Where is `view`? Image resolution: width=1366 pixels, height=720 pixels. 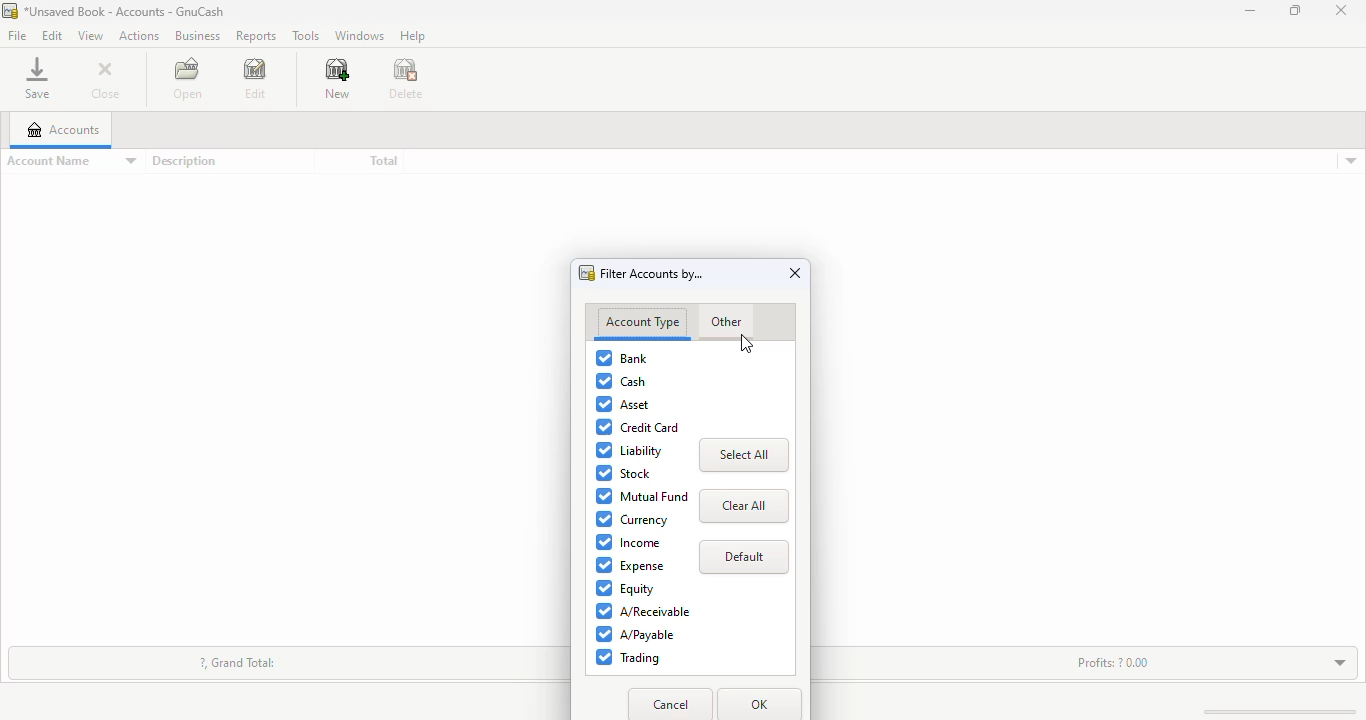 view is located at coordinates (90, 35).